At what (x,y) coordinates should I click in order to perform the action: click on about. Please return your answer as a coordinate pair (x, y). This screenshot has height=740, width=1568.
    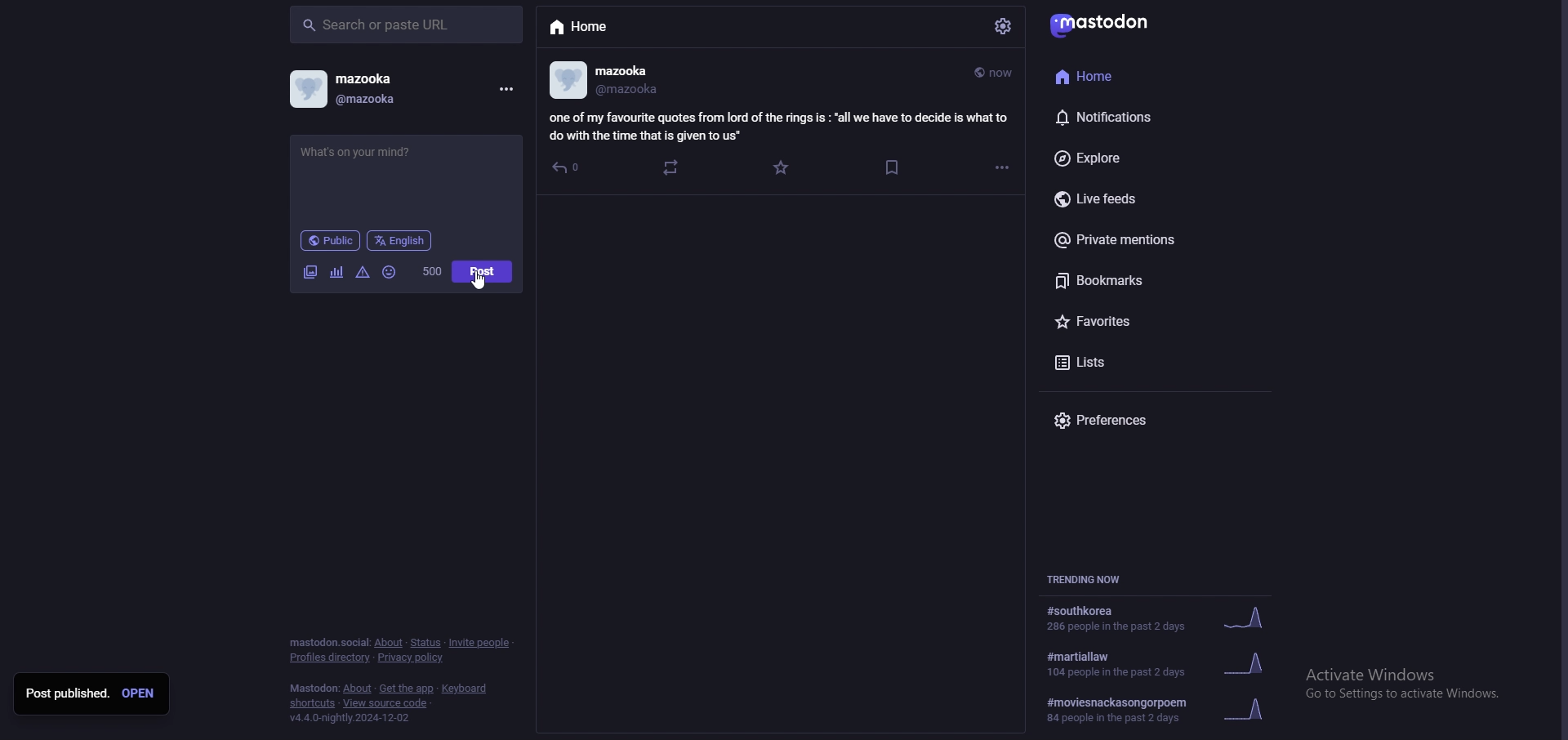
    Looking at the image, I should click on (358, 689).